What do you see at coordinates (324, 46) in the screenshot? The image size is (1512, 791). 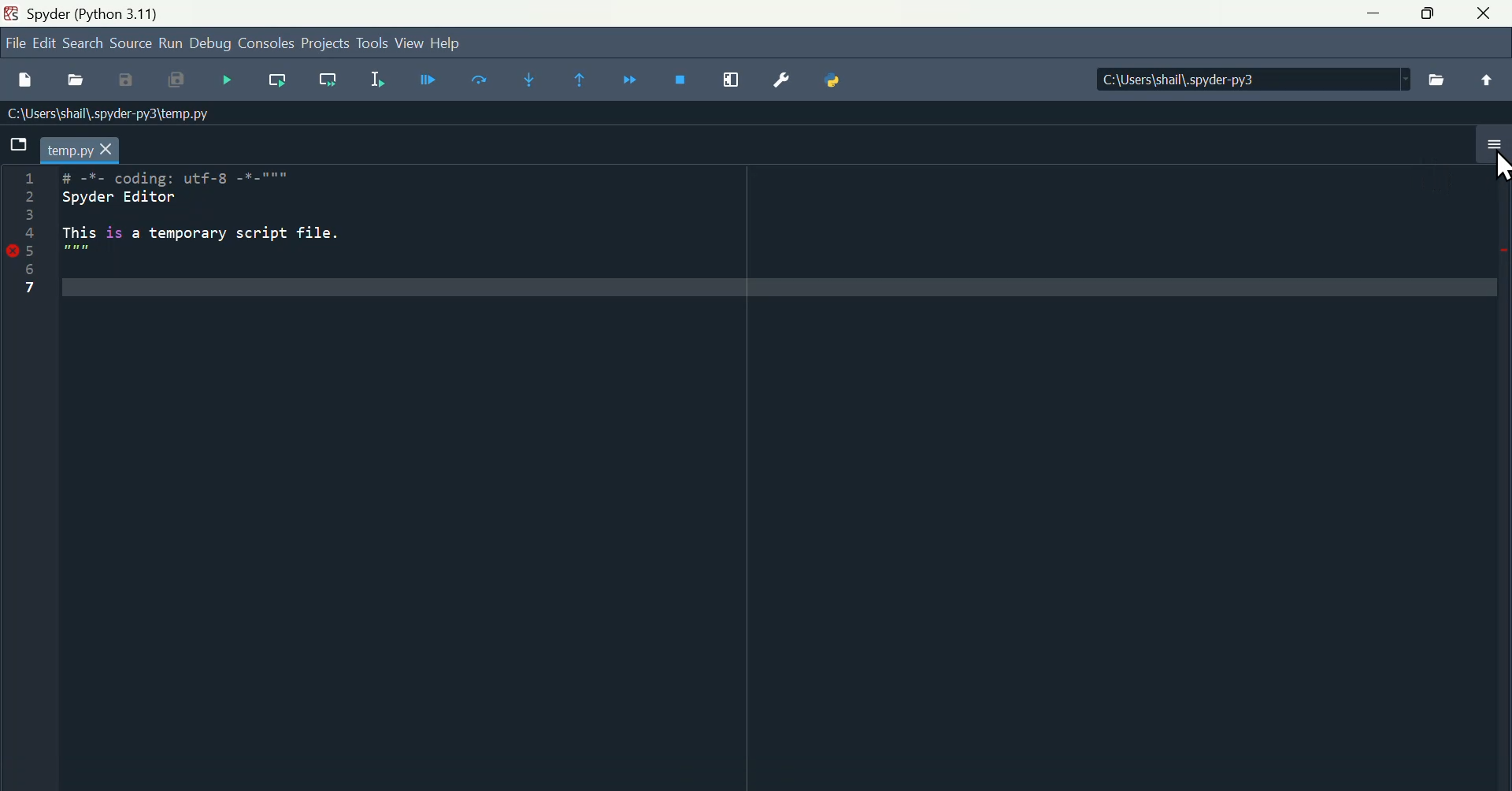 I see `Projects` at bounding box center [324, 46].